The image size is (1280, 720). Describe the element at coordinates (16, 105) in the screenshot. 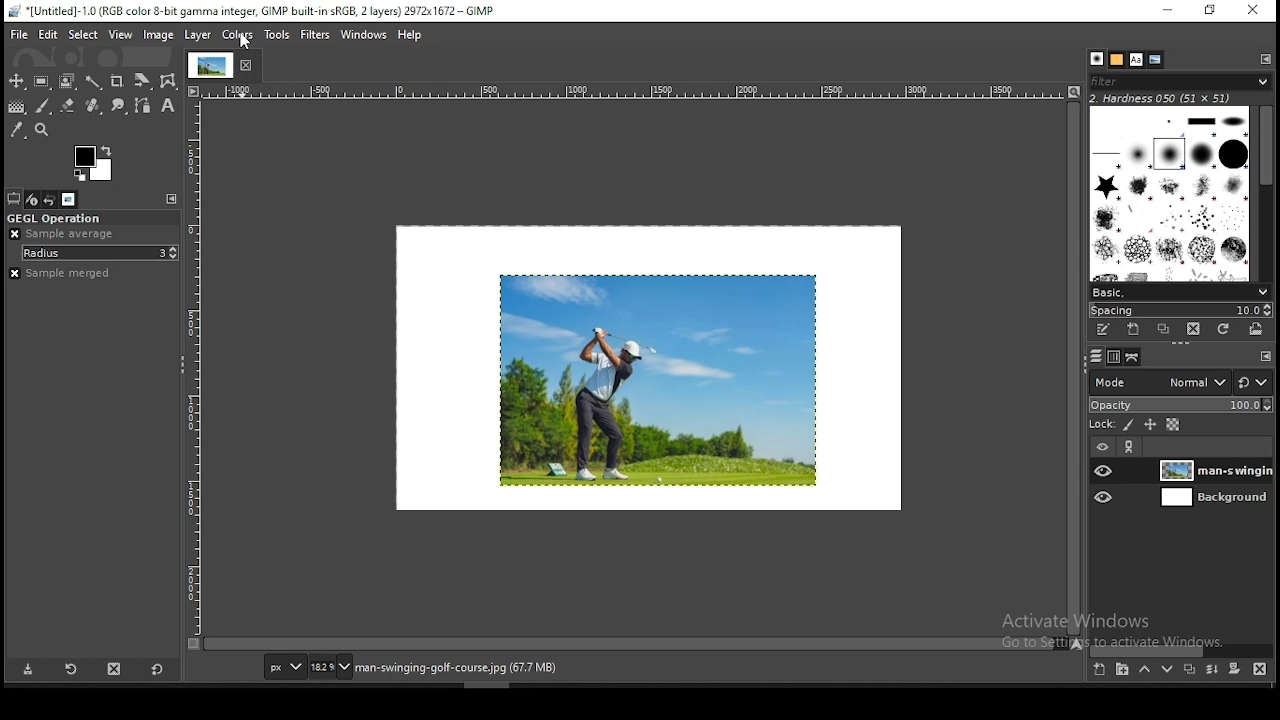

I see `gradient tool` at that location.